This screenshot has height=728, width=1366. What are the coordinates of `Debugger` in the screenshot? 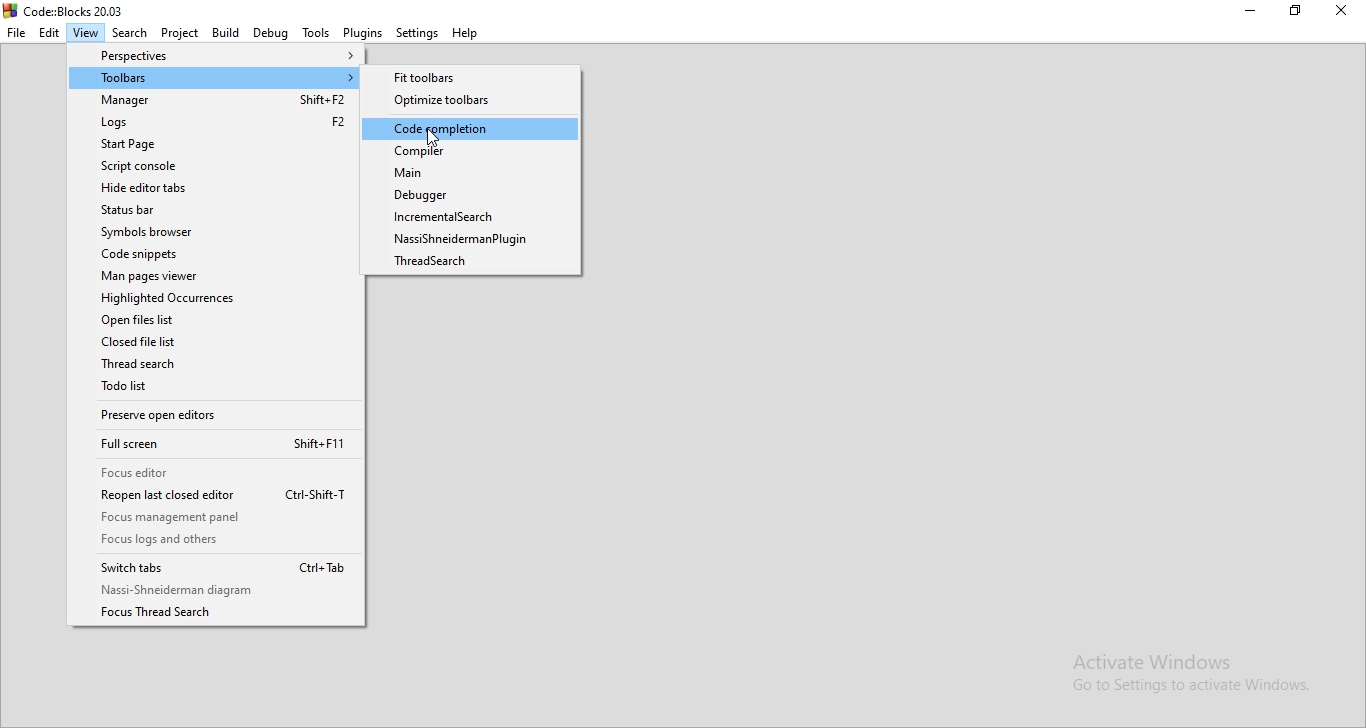 It's located at (472, 195).